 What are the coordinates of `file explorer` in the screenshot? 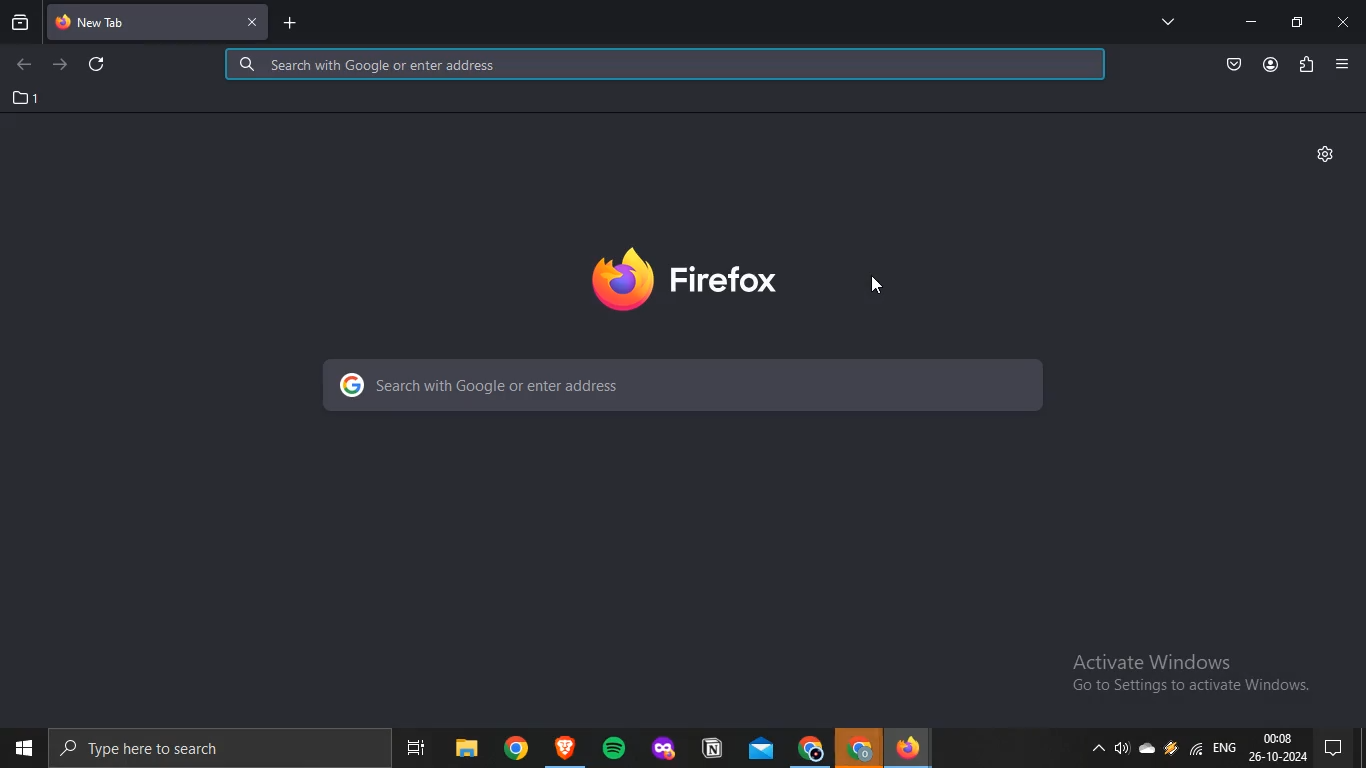 It's located at (464, 744).